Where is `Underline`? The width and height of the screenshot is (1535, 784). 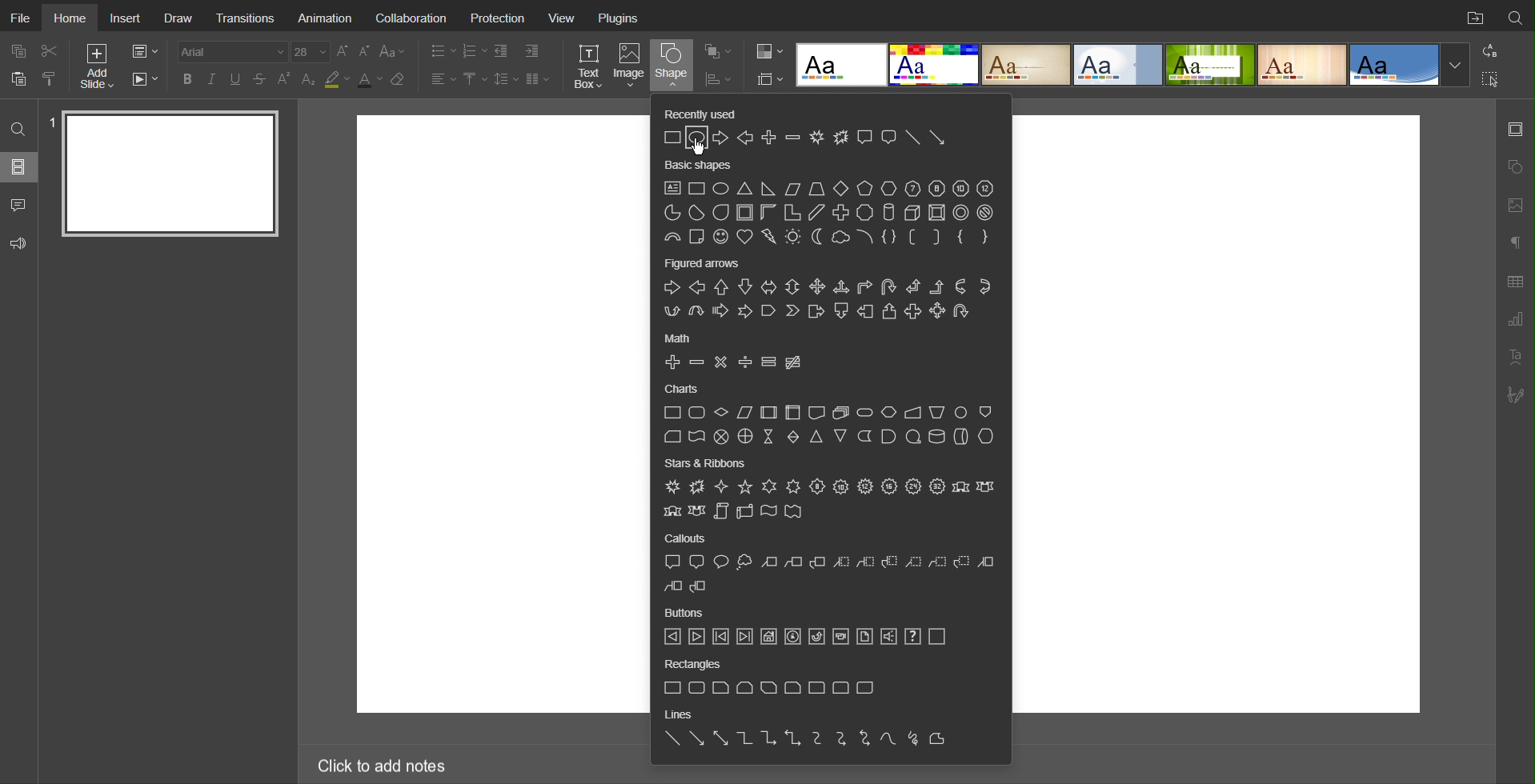 Underline is located at coordinates (237, 79).